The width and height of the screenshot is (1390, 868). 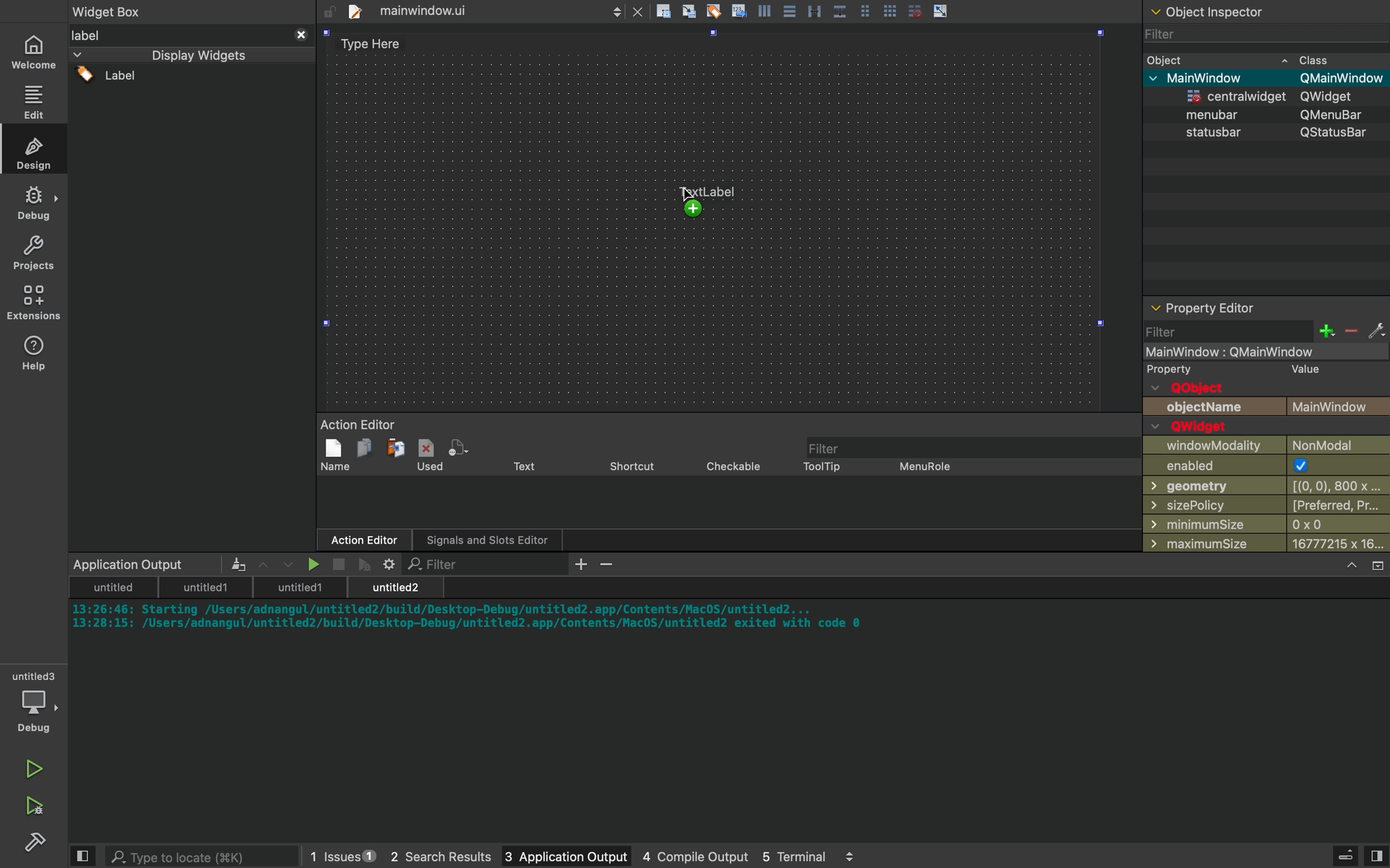 What do you see at coordinates (38, 844) in the screenshot?
I see `` at bounding box center [38, 844].